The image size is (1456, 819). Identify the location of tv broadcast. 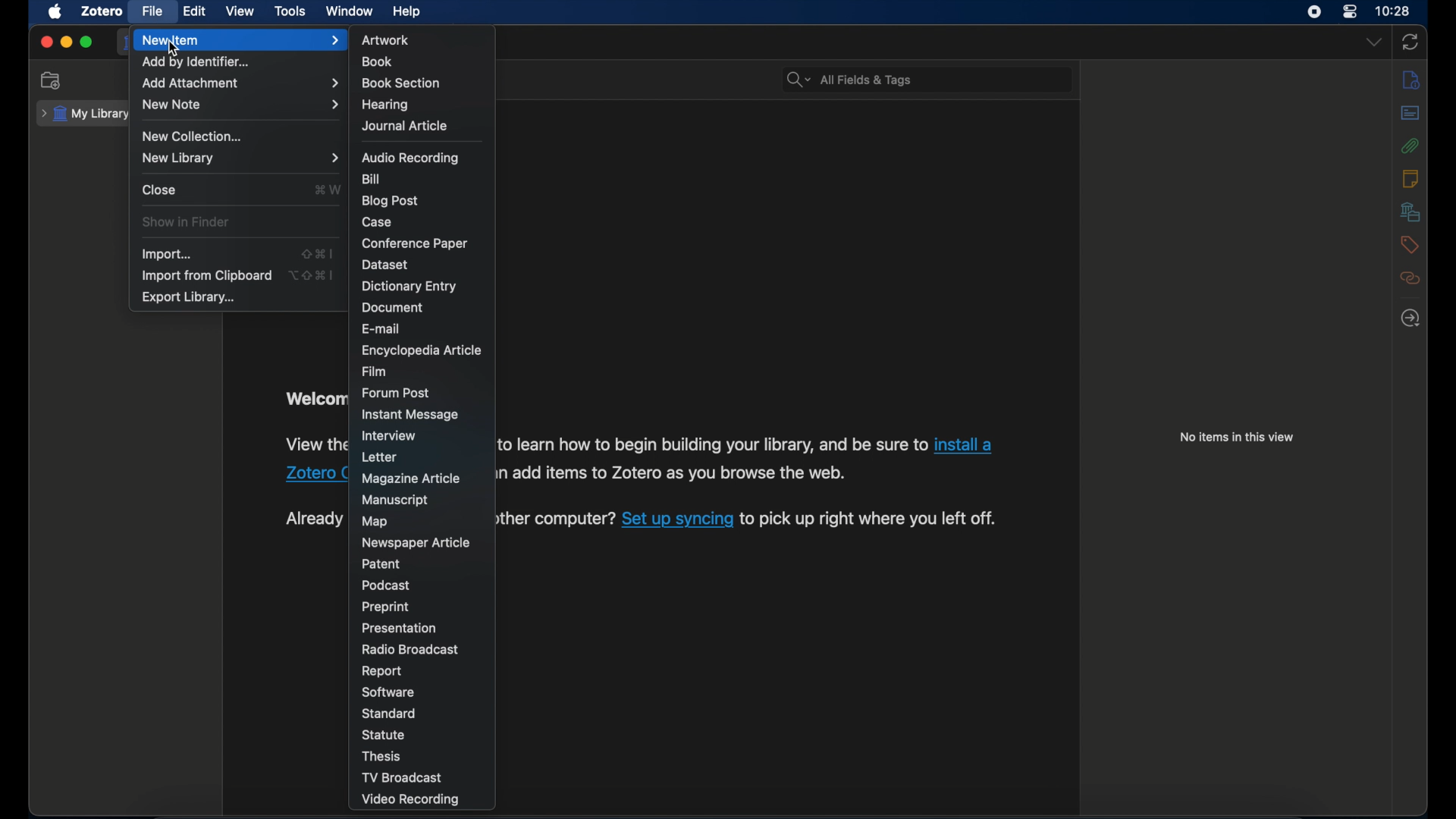
(405, 777).